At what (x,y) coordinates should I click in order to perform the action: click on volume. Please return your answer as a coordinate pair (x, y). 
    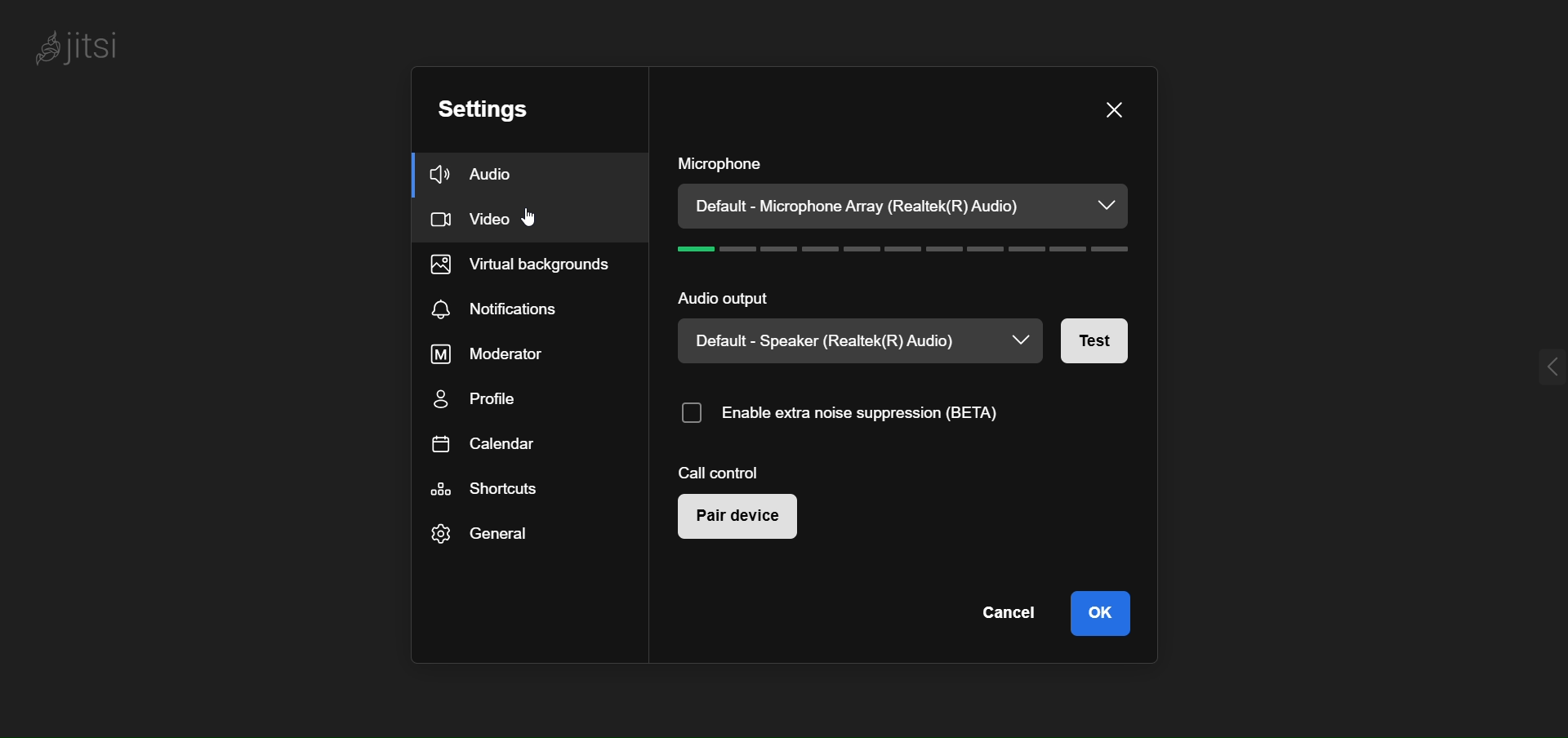
    Looking at the image, I should click on (905, 247).